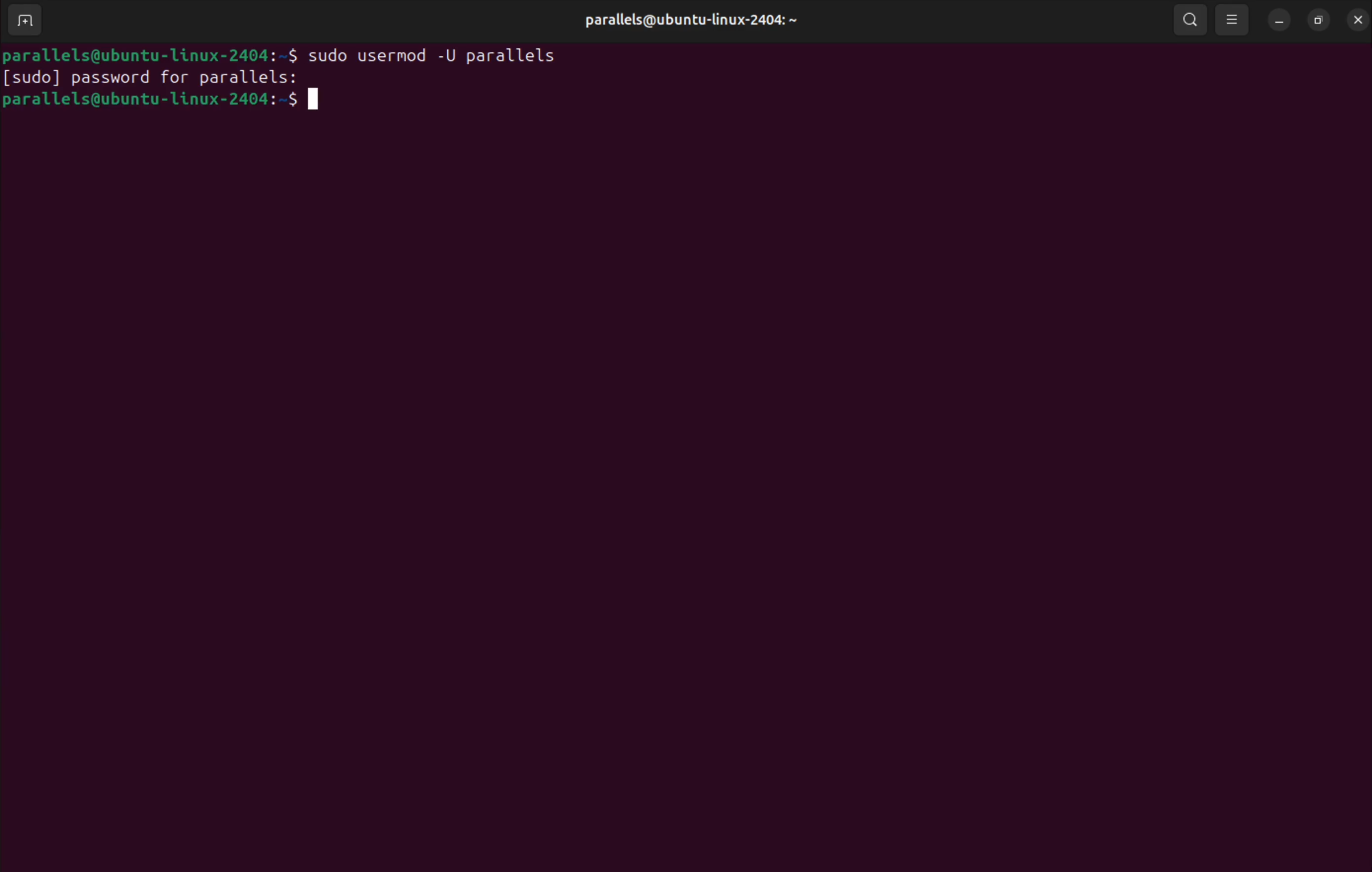 The width and height of the screenshot is (1372, 872). I want to click on bash prompt, so click(153, 52).